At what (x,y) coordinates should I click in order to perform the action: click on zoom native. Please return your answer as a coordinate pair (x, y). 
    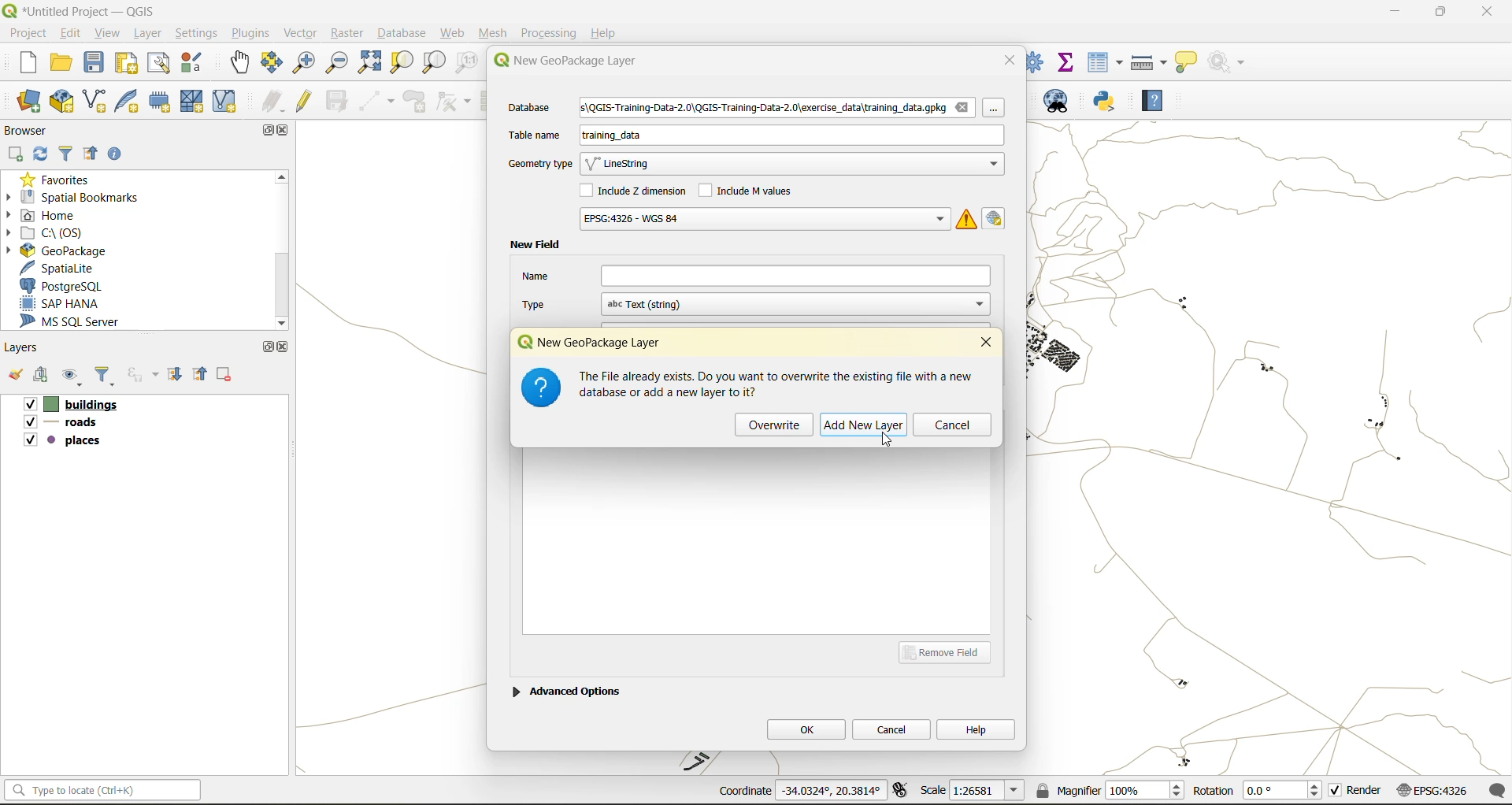
    Looking at the image, I should click on (467, 65).